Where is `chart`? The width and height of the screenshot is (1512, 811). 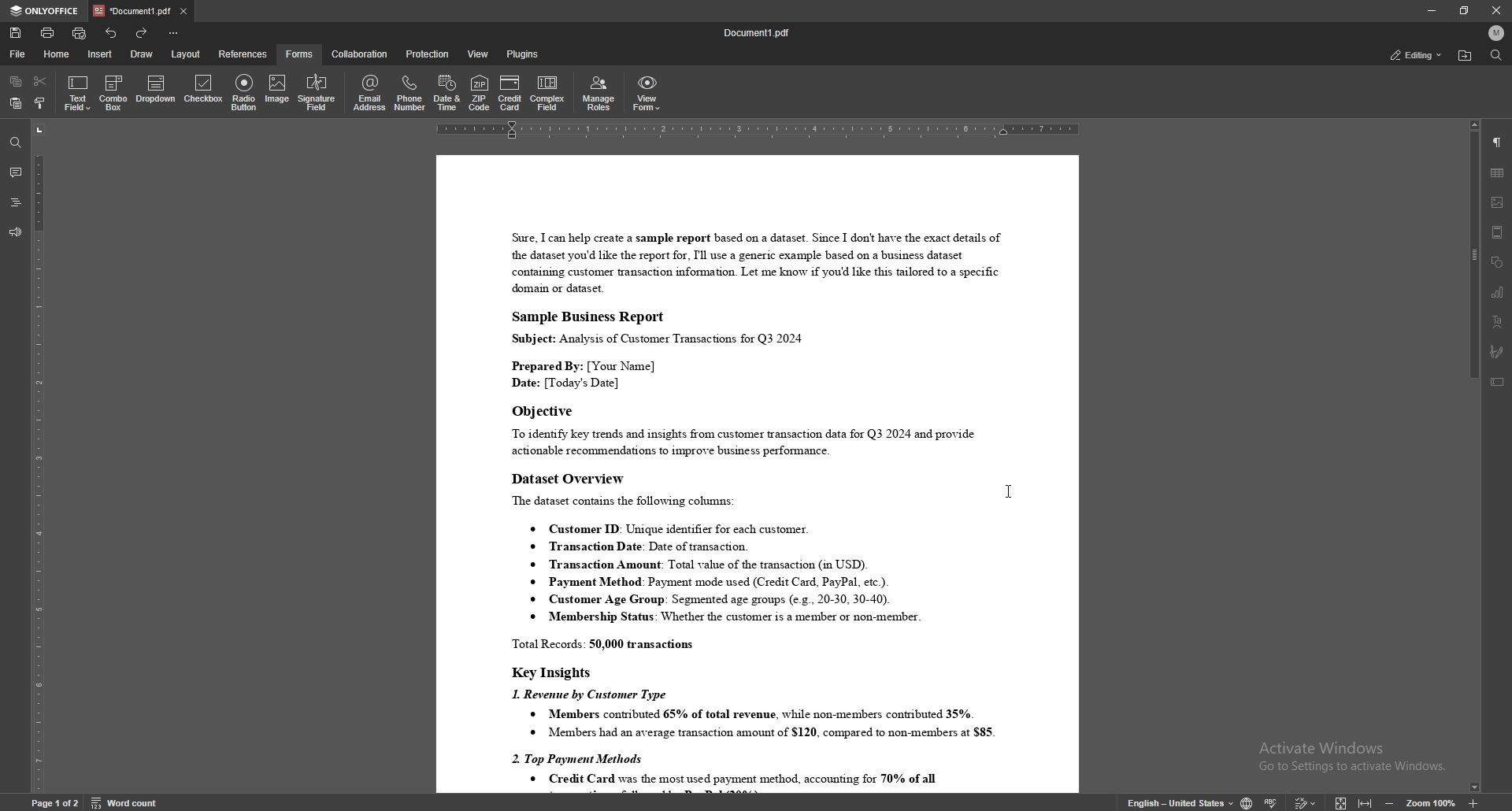
chart is located at coordinates (1498, 293).